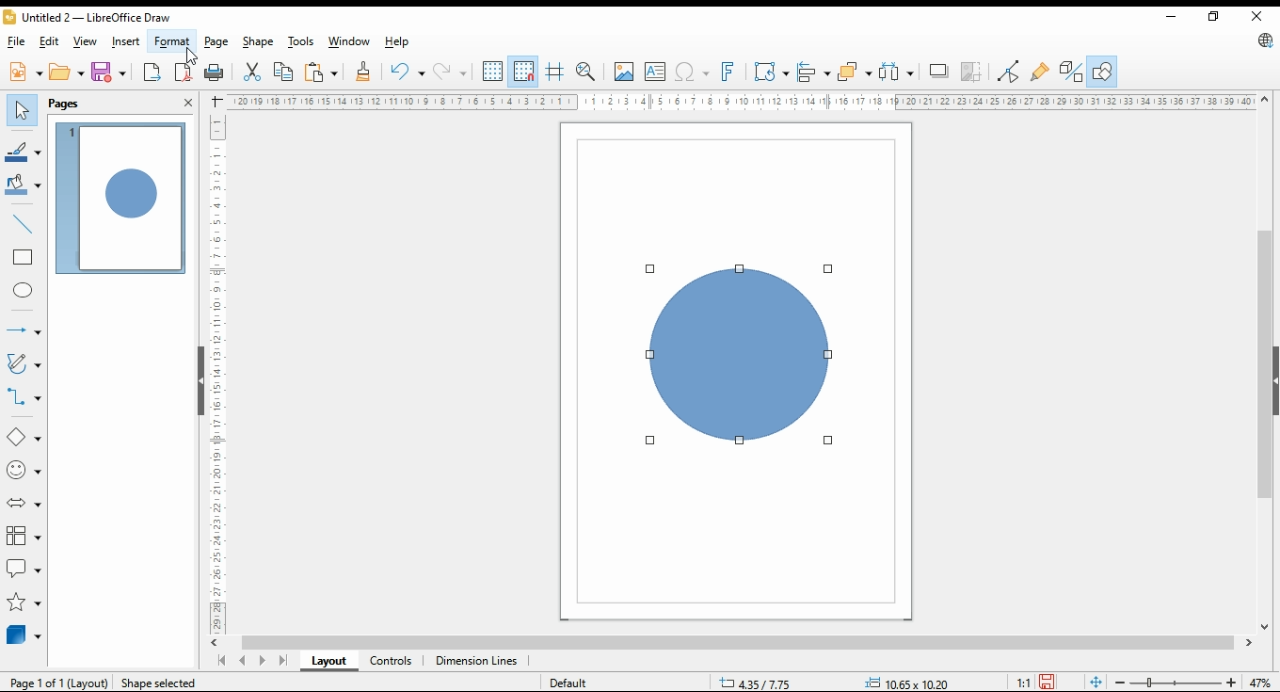 The height and width of the screenshot is (692, 1280). Describe the element at coordinates (904, 683) in the screenshot. I see `0.00x0.00` at that location.